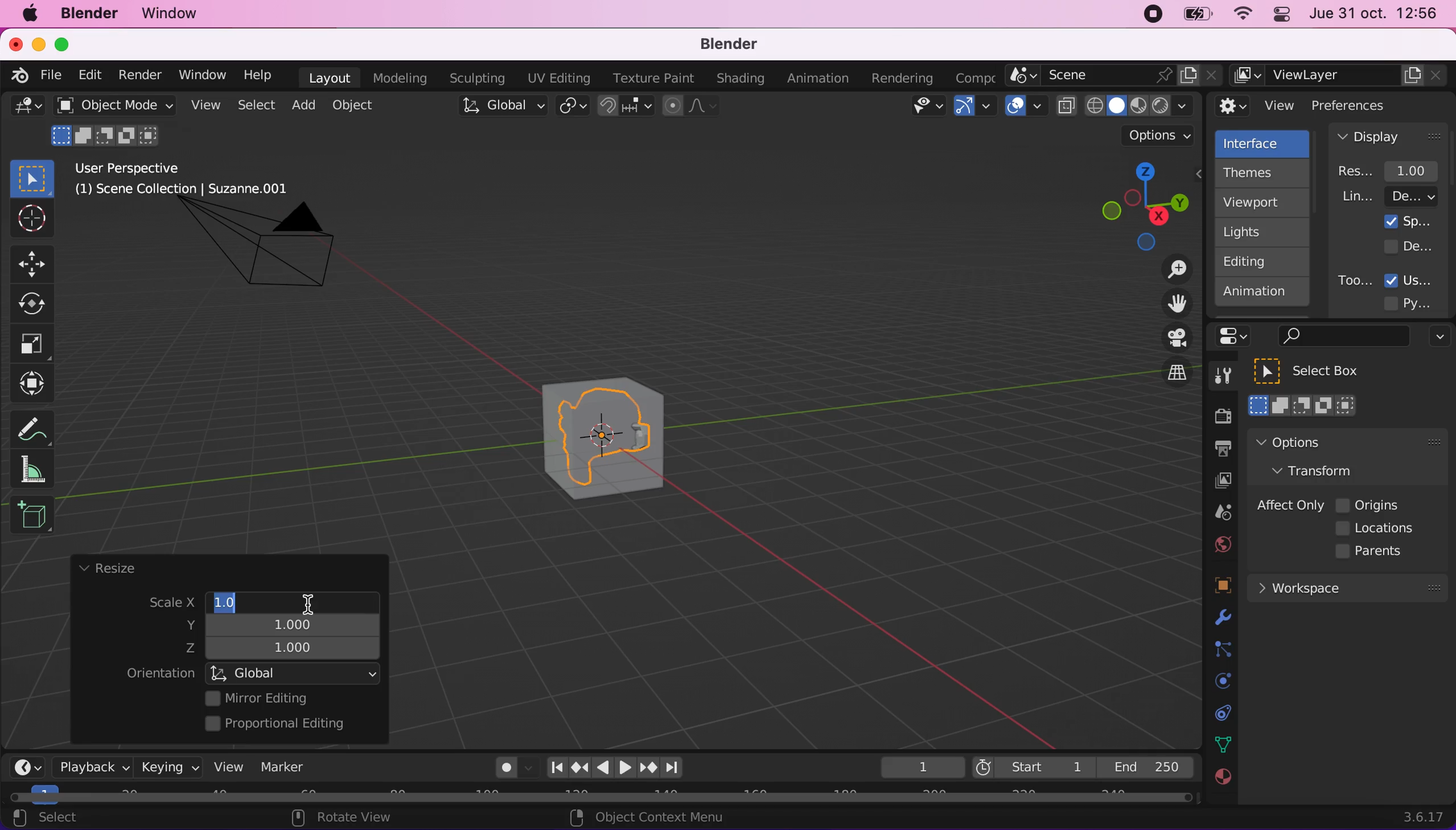  Describe the element at coordinates (37, 262) in the screenshot. I see `` at that location.